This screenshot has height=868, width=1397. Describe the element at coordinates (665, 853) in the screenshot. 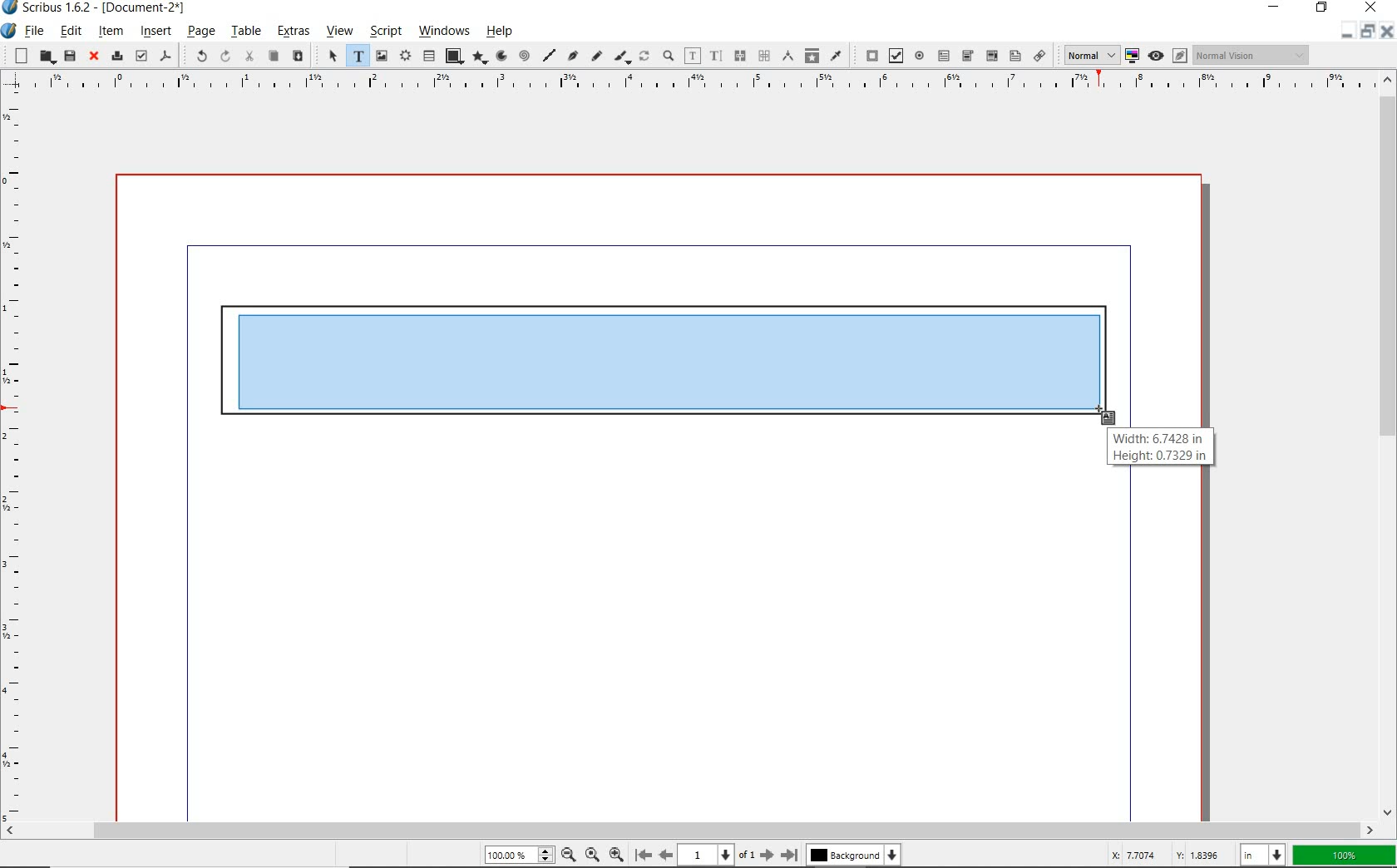

I see `move to previous` at that location.